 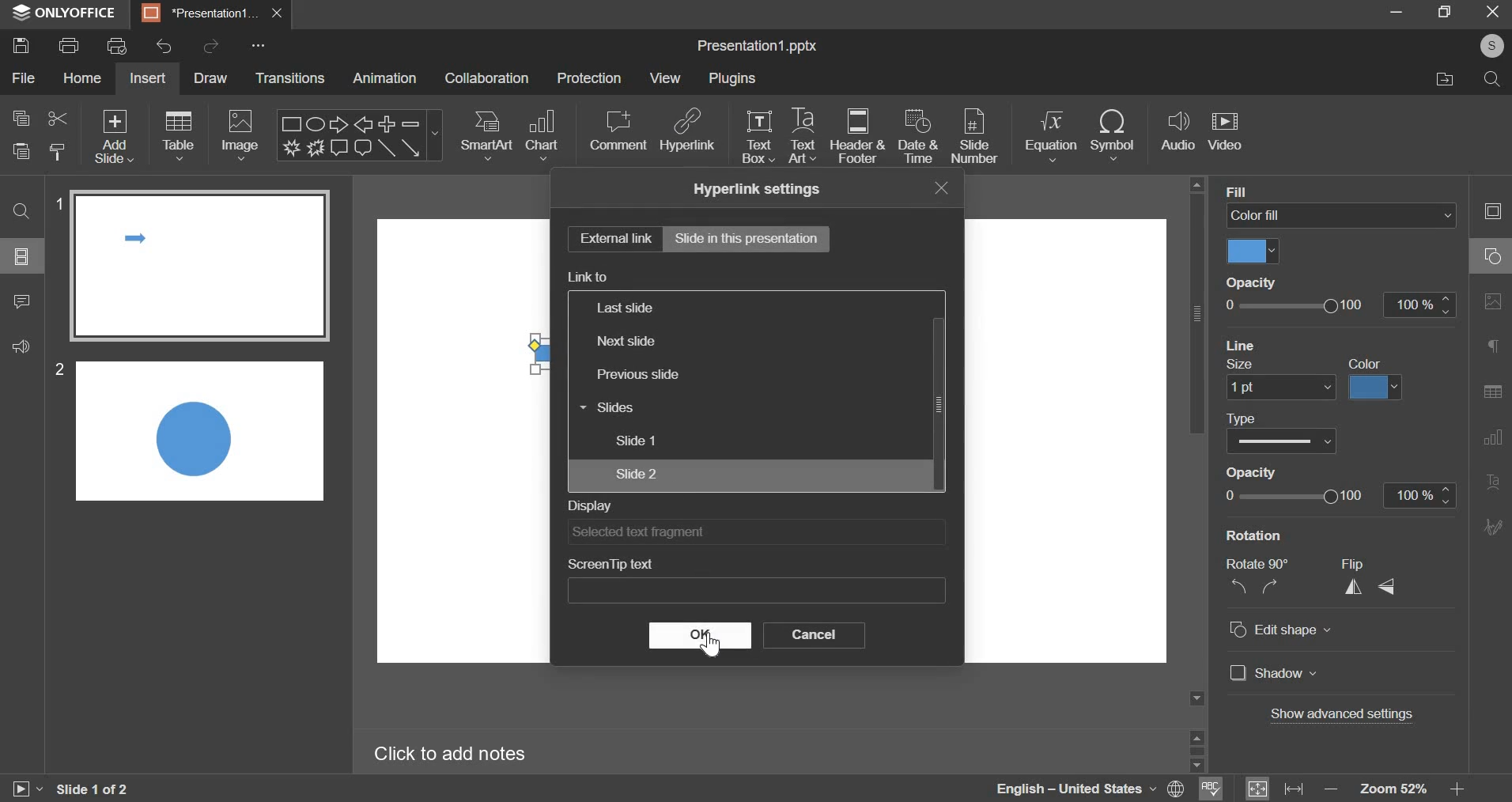 I want to click on exit, so click(x=1493, y=11).